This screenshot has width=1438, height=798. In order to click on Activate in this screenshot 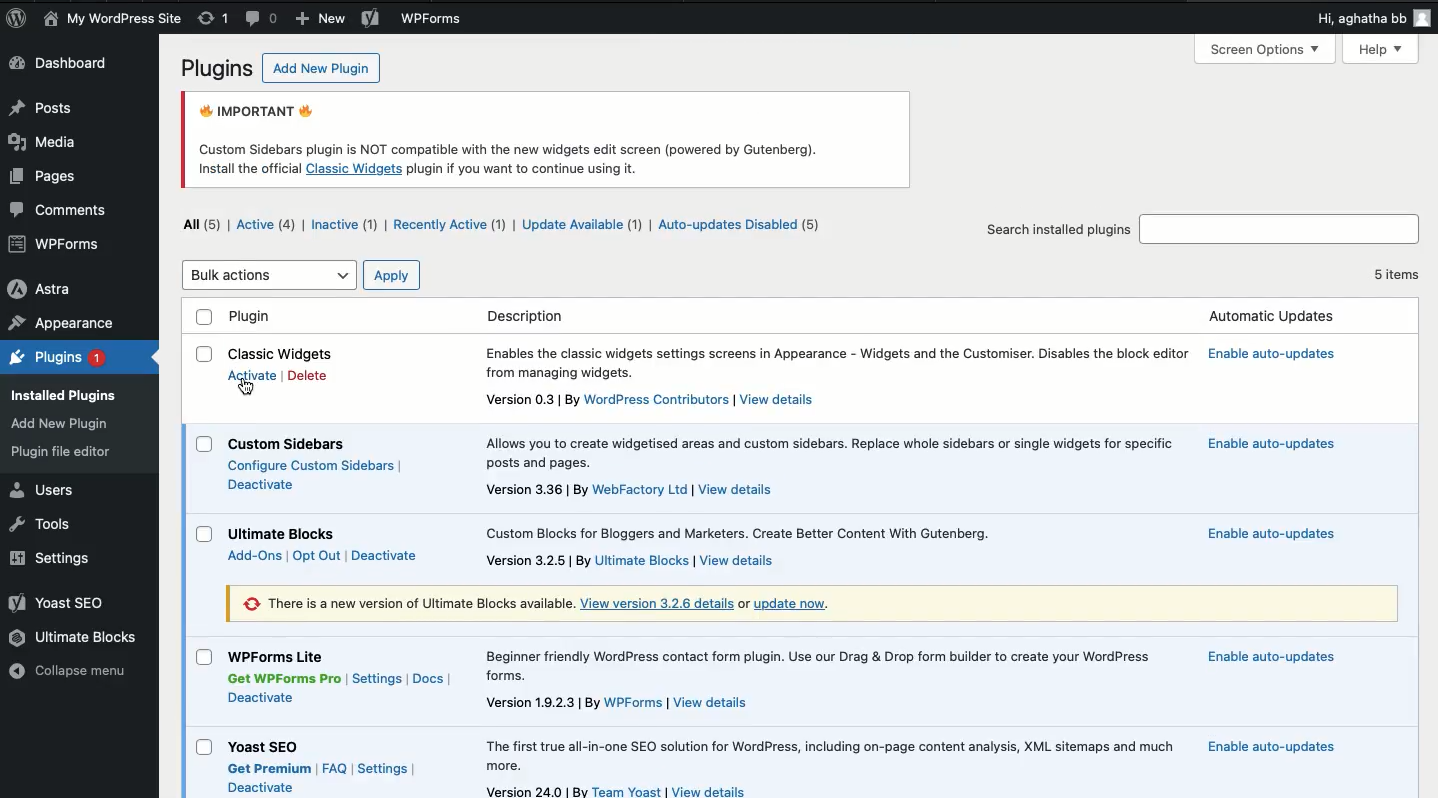, I will do `click(256, 377)`.